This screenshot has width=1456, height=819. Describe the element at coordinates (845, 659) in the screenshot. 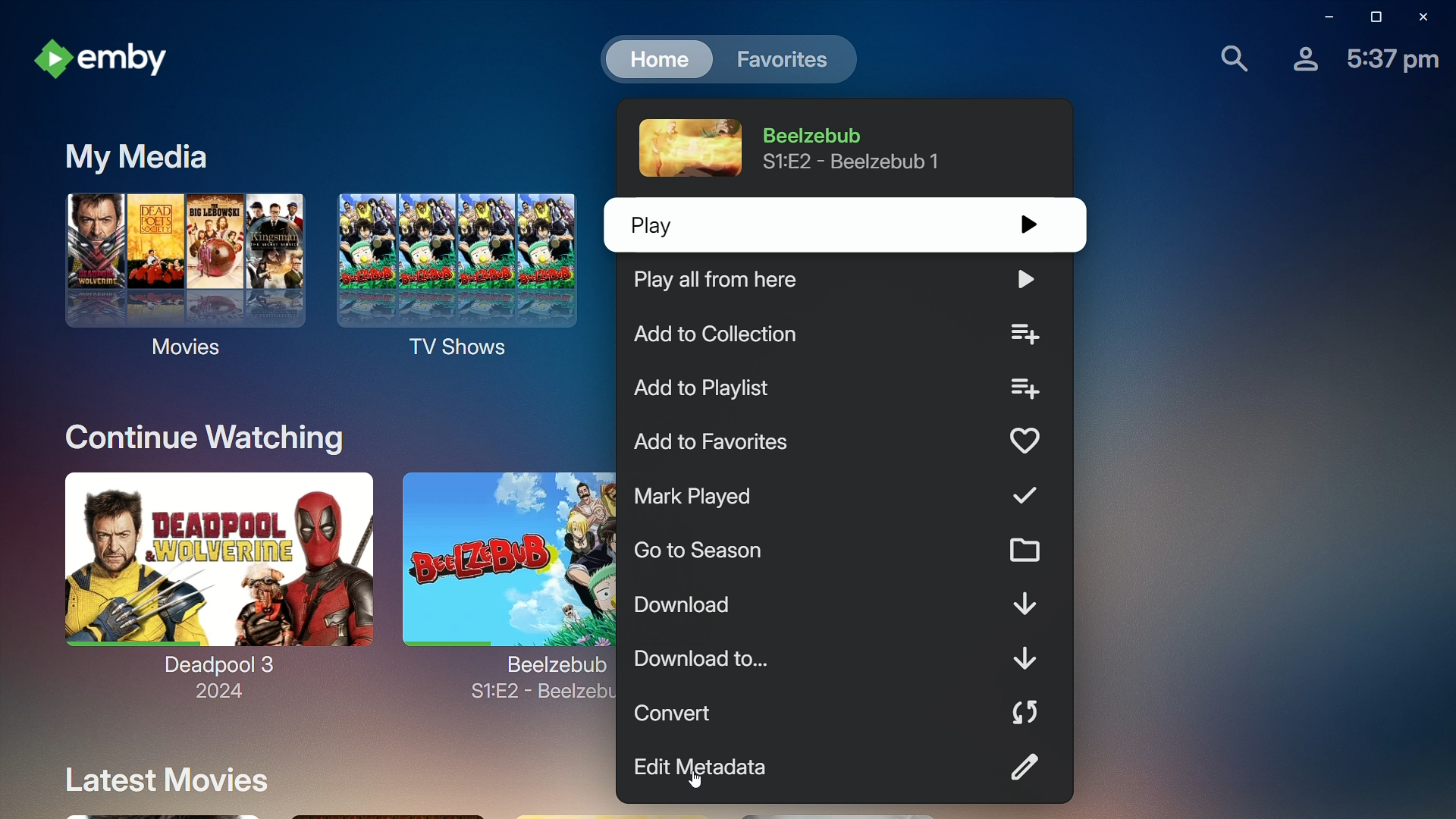

I see `Download to` at that location.